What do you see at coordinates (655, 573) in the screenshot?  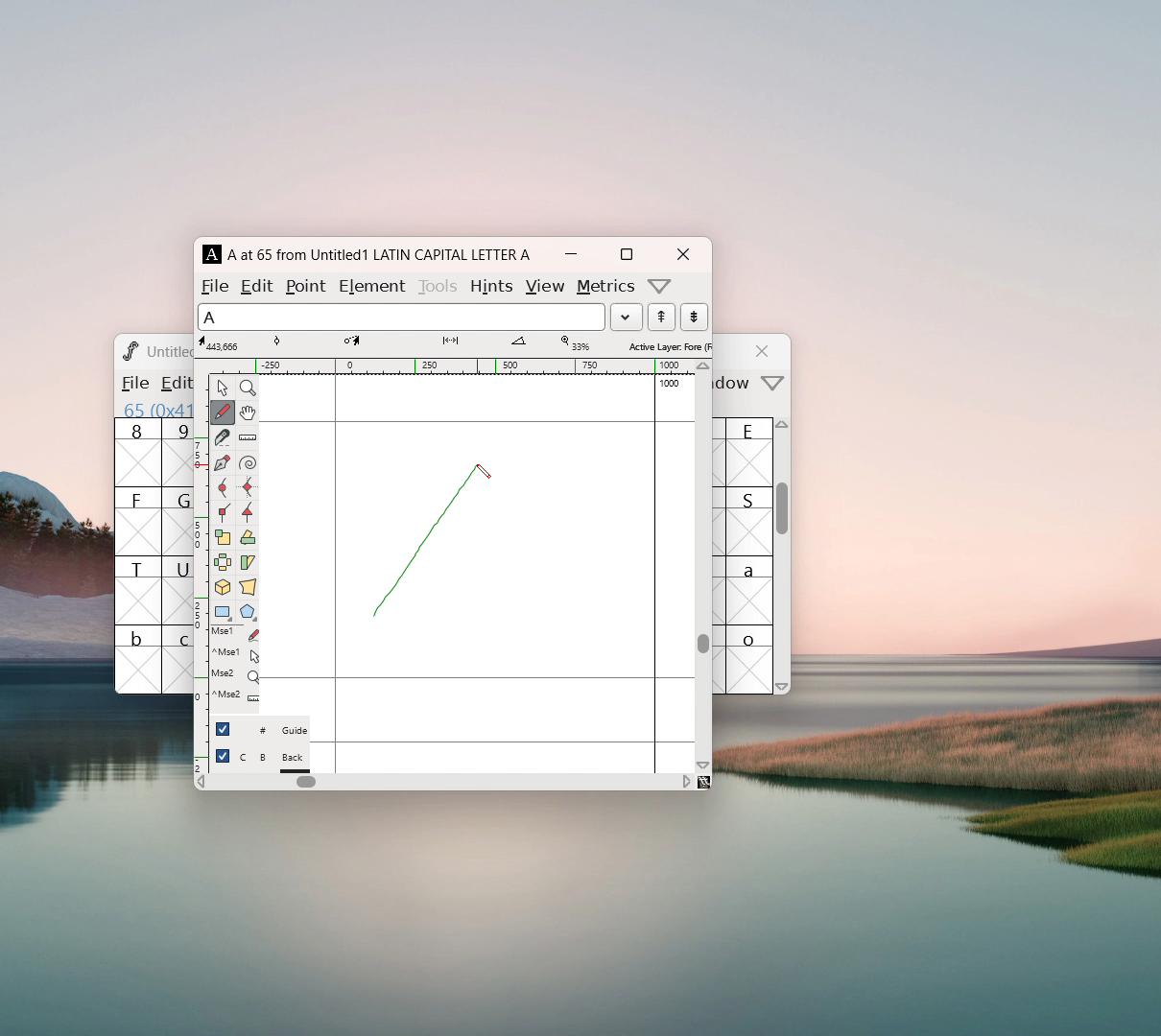 I see `right side bearing` at bounding box center [655, 573].